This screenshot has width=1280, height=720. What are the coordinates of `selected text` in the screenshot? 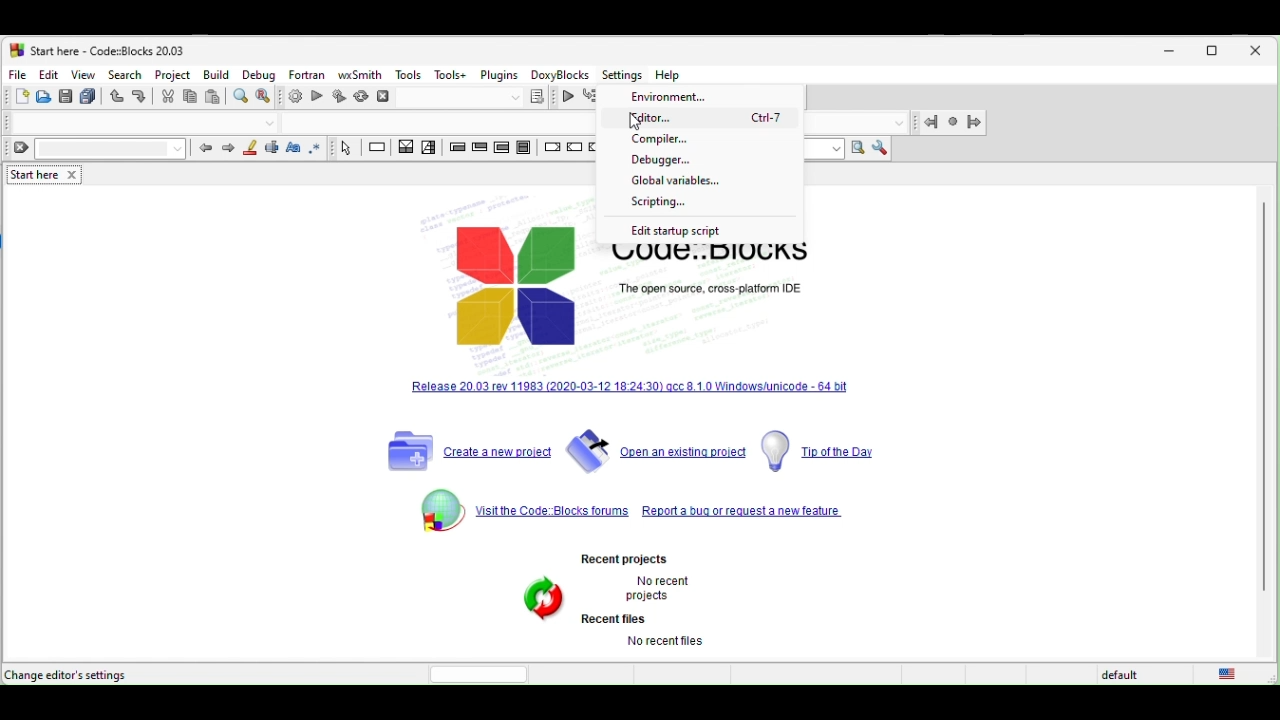 It's located at (273, 149).